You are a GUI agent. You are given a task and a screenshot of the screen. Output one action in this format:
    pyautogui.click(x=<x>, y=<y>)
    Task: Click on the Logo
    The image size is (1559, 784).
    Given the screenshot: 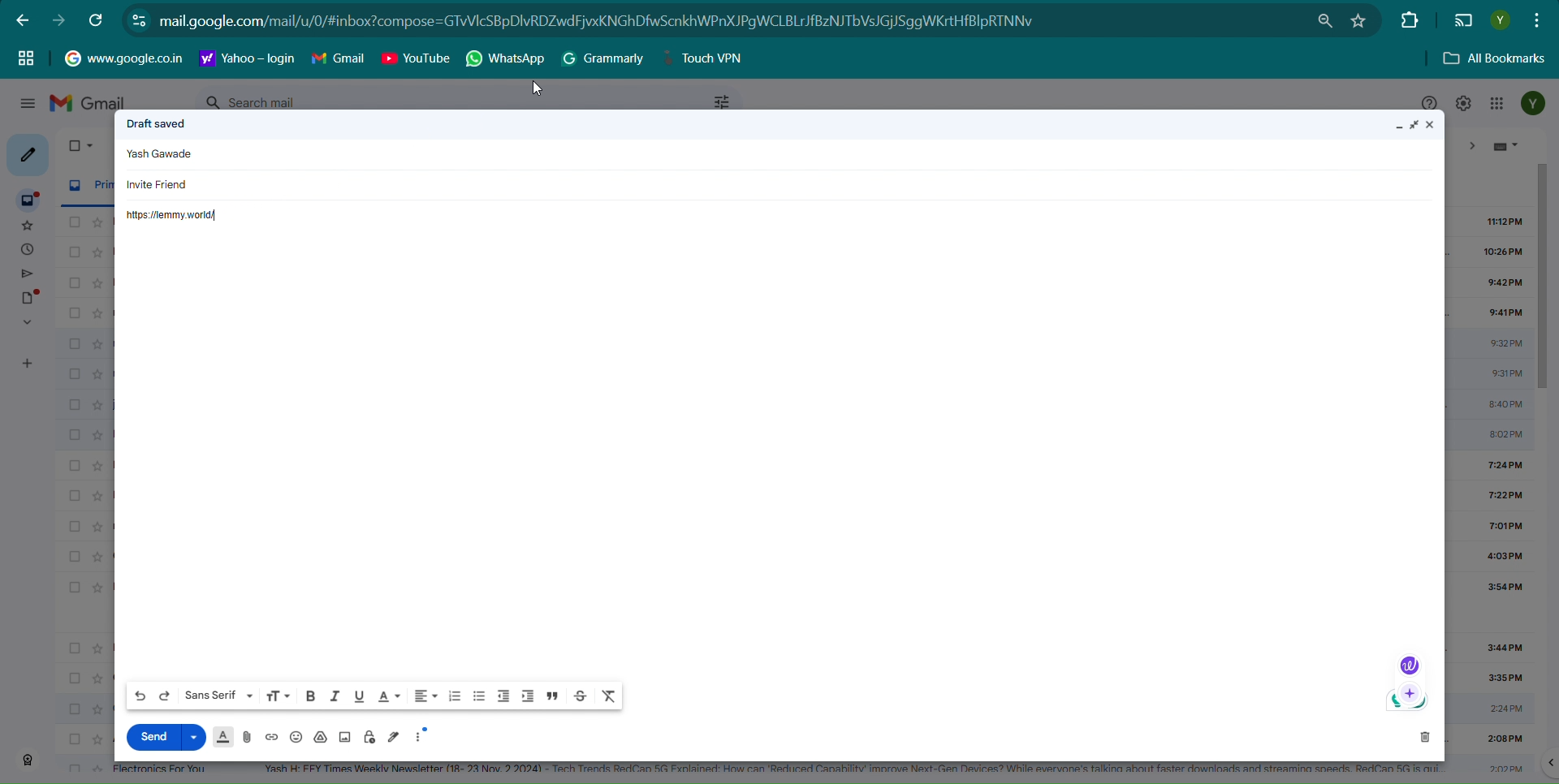 What is the action you would take?
    pyautogui.click(x=1407, y=702)
    